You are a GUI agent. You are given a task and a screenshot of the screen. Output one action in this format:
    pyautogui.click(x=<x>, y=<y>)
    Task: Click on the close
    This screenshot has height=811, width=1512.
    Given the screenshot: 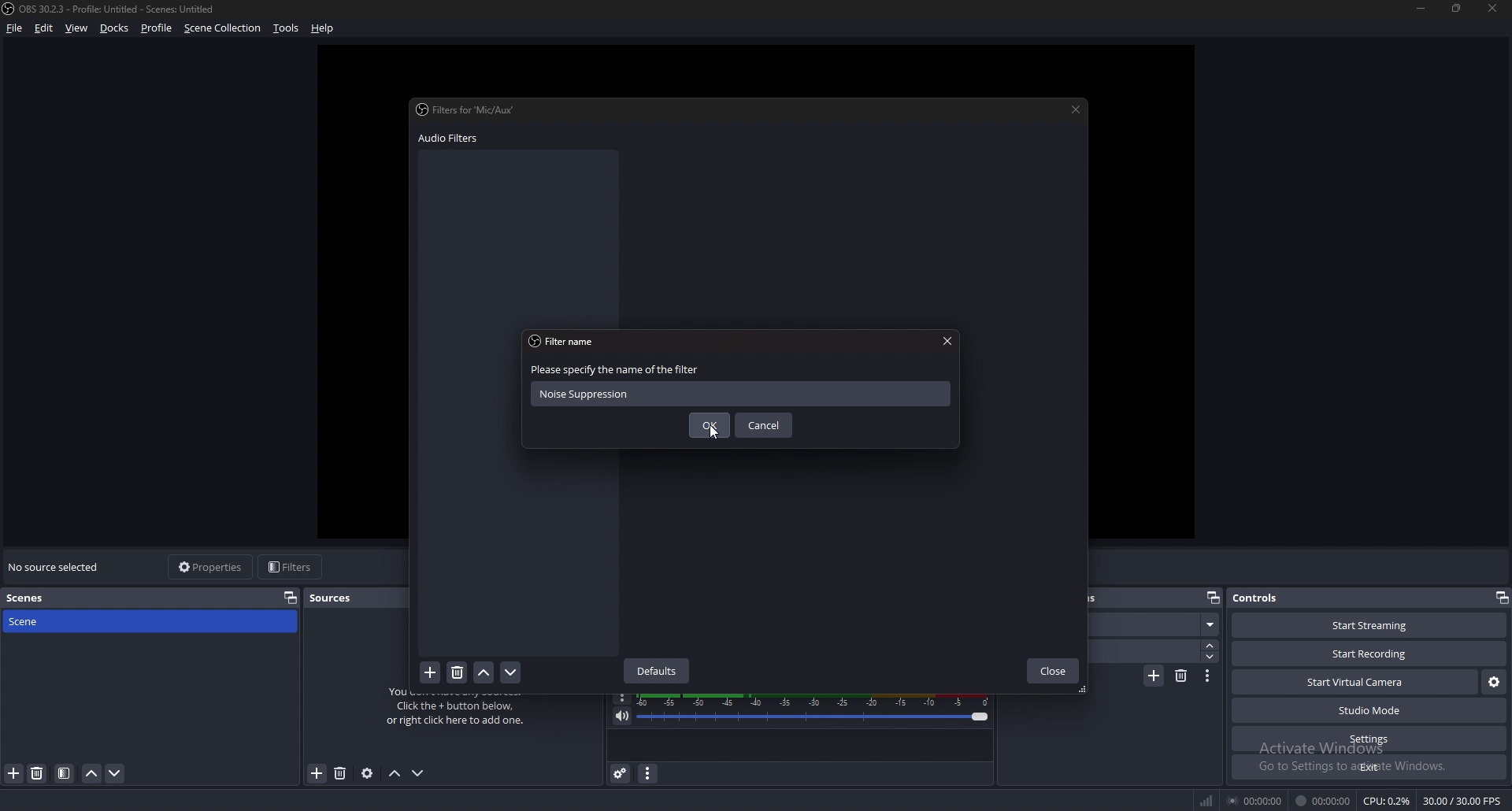 What is the action you would take?
    pyautogui.click(x=1495, y=9)
    